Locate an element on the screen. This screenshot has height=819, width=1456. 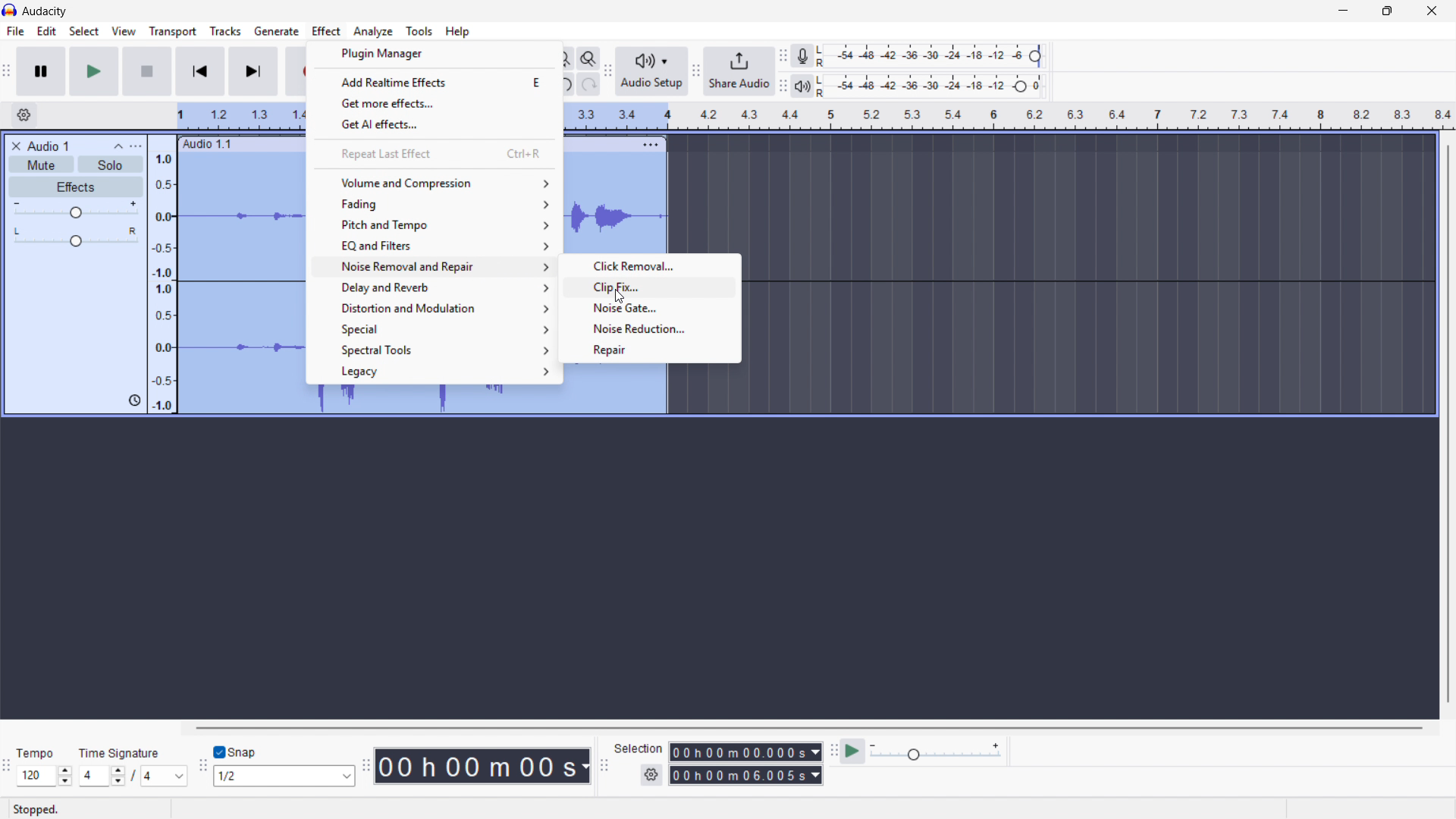
Playback metre is located at coordinates (804, 86).